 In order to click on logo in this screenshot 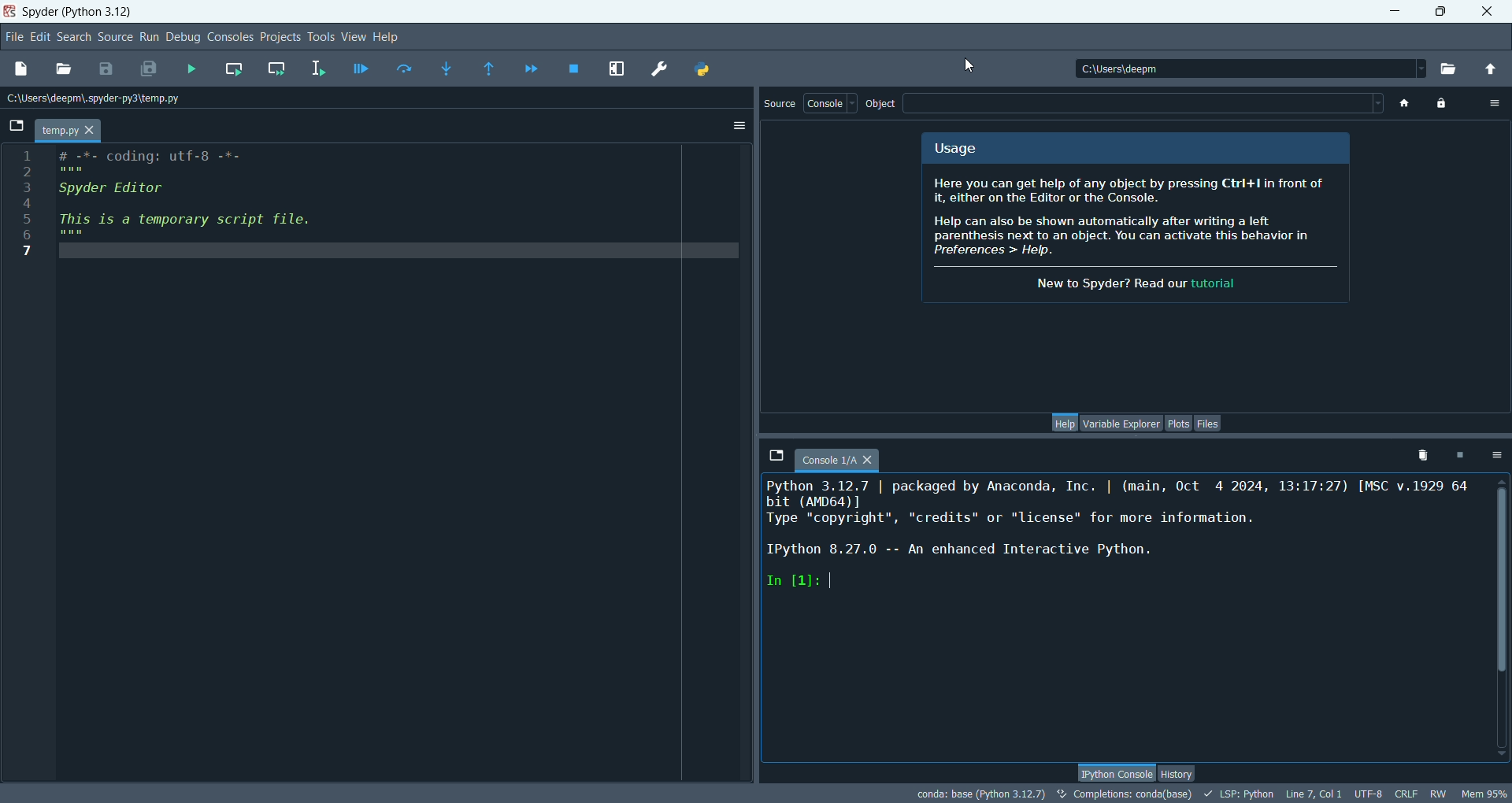, I will do `click(10, 13)`.